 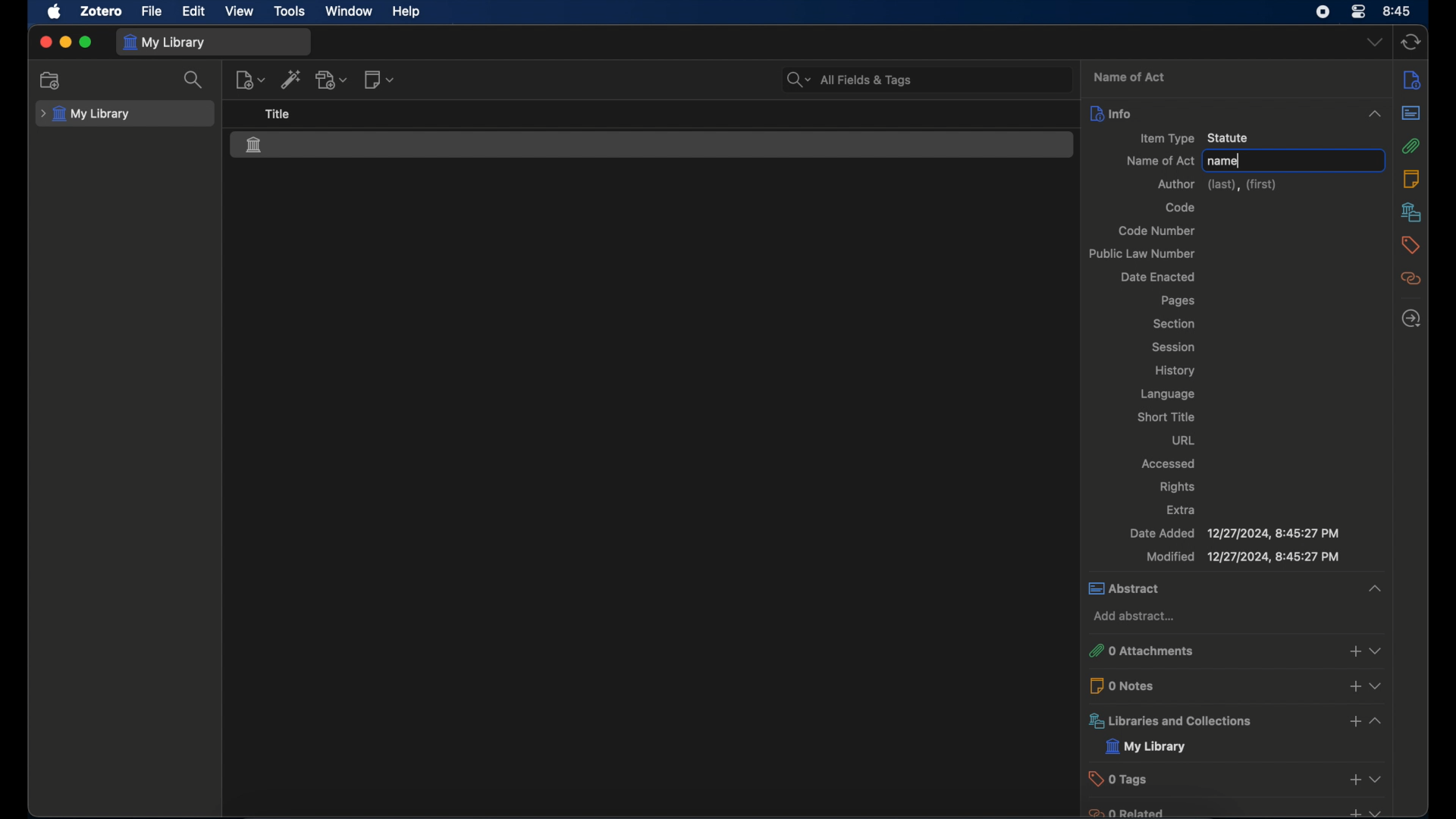 I want to click on new note, so click(x=381, y=80).